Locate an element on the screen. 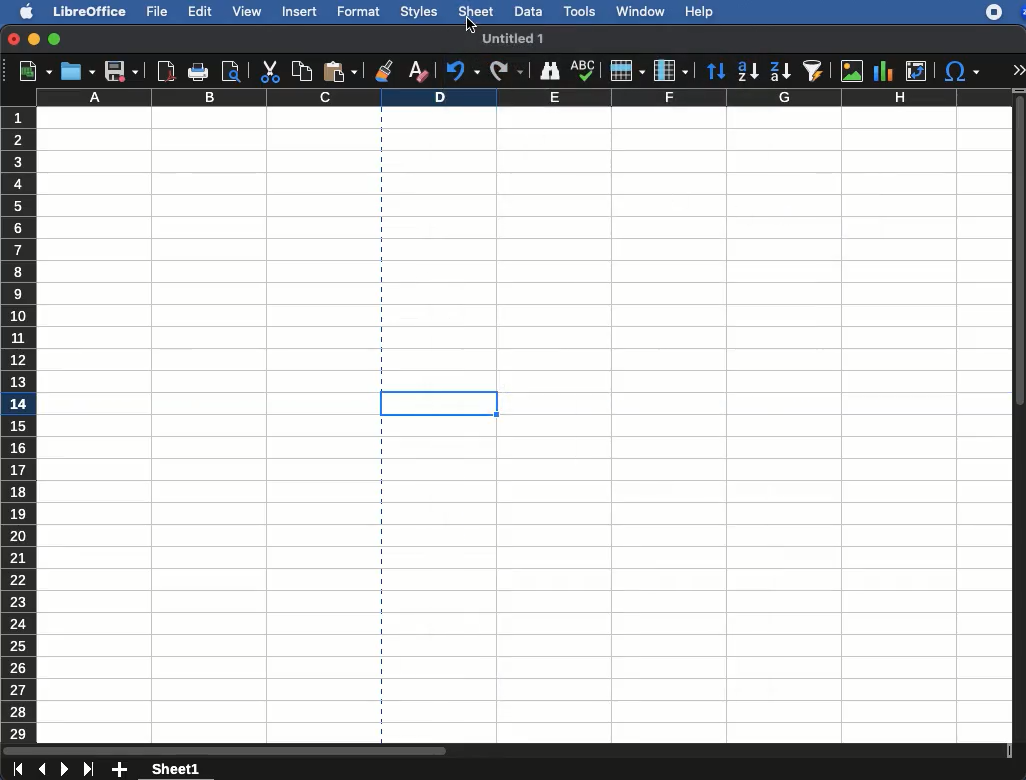  pivot table is located at coordinates (919, 69).